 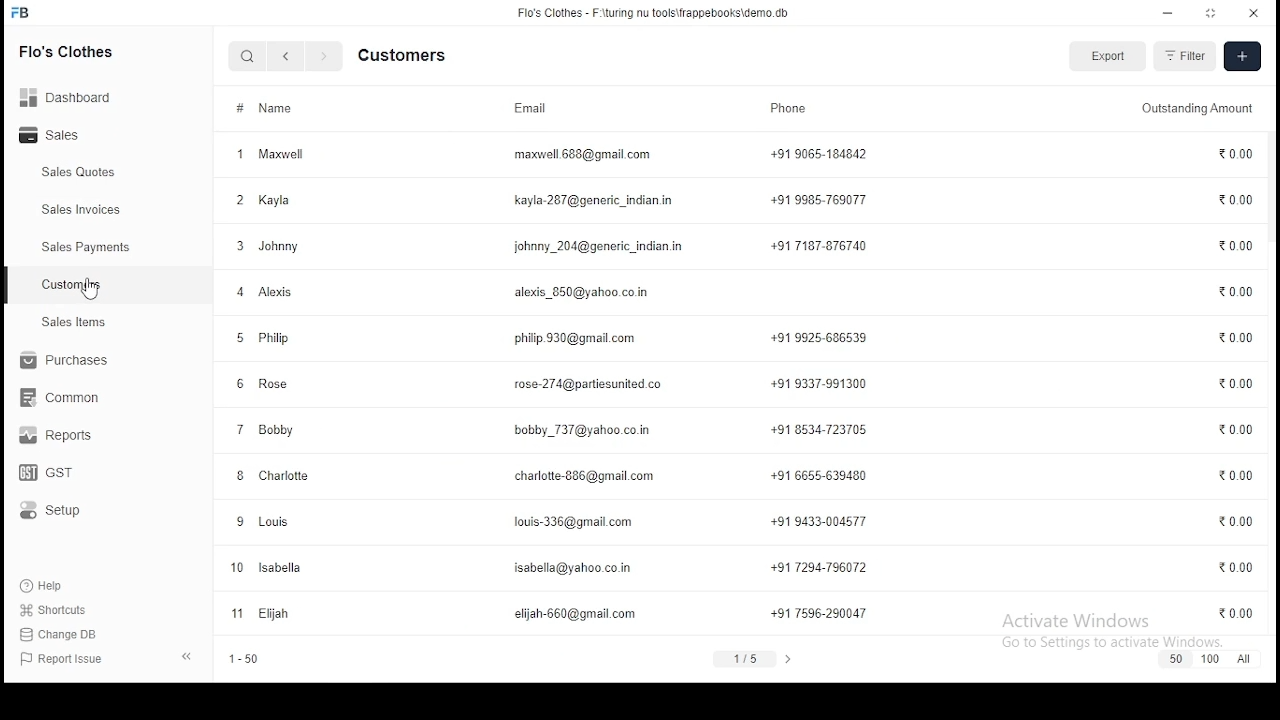 I want to click on maxwell.668@gmail.com, so click(x=584, y=154).